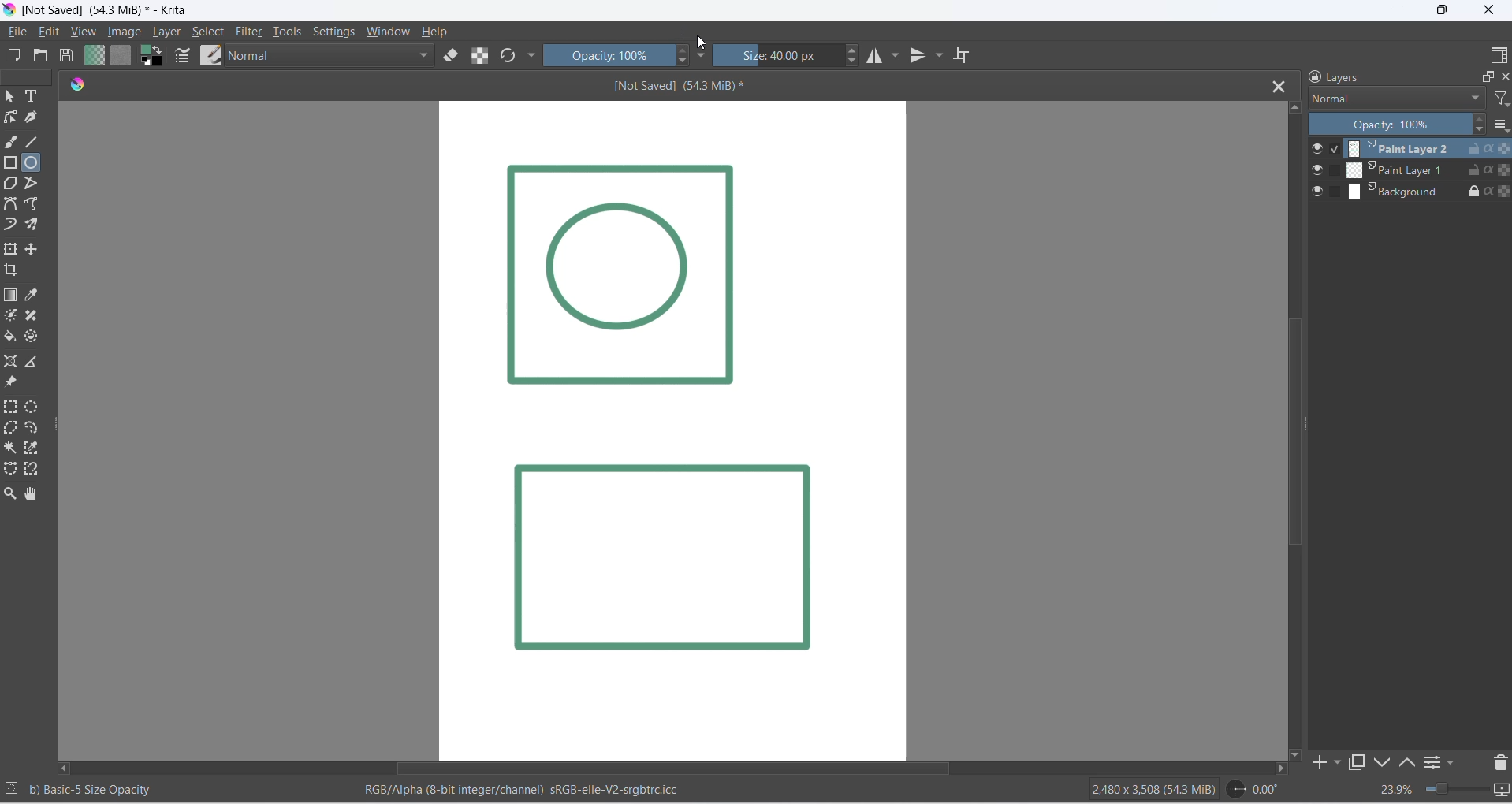  Describe the element at coordinates (210, 56) in the screenshot. I see `brush preset` at that location.